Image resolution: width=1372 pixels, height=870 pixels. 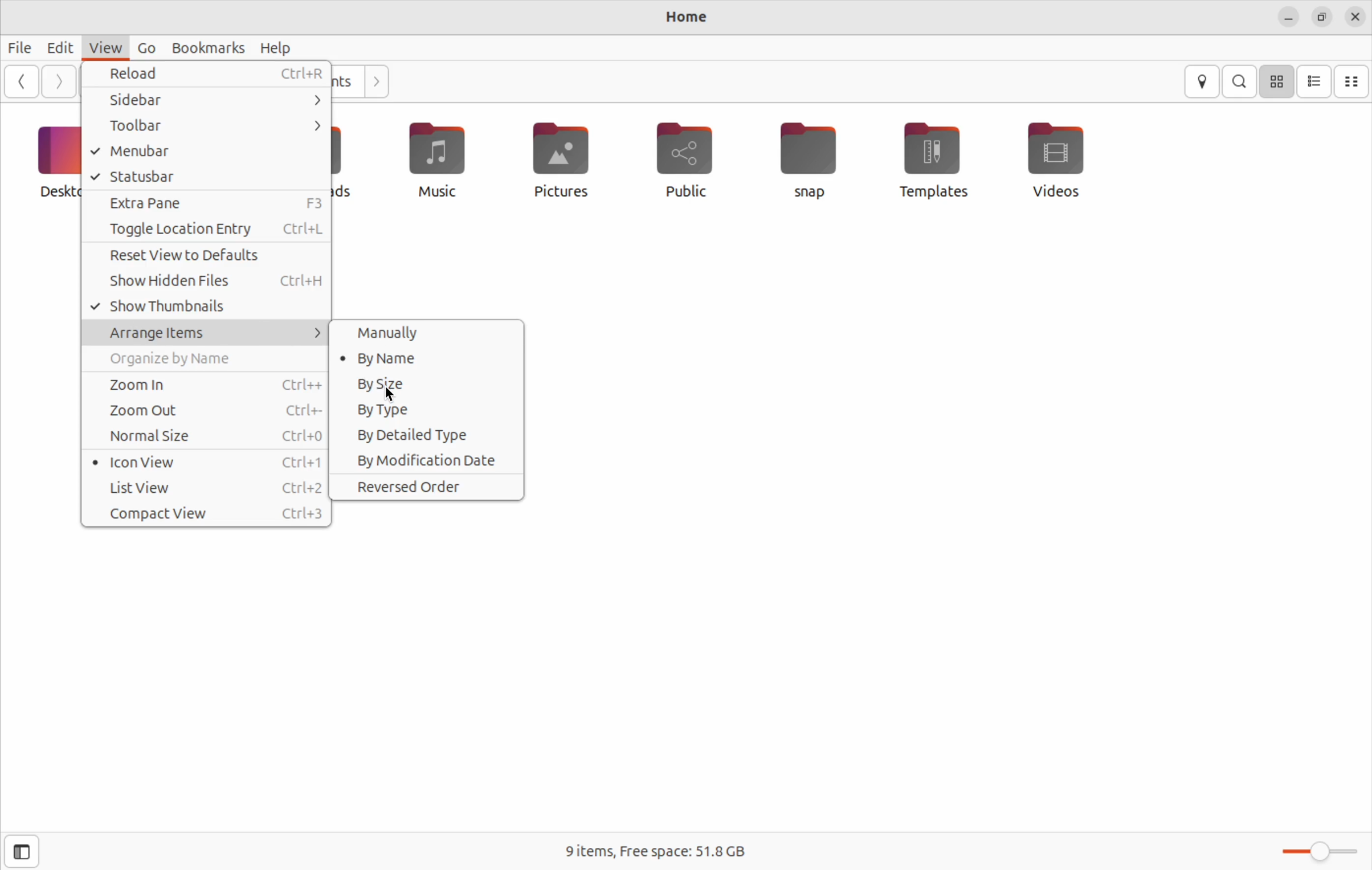 I want to click on toggle location entry, so click(x=203, y=231).